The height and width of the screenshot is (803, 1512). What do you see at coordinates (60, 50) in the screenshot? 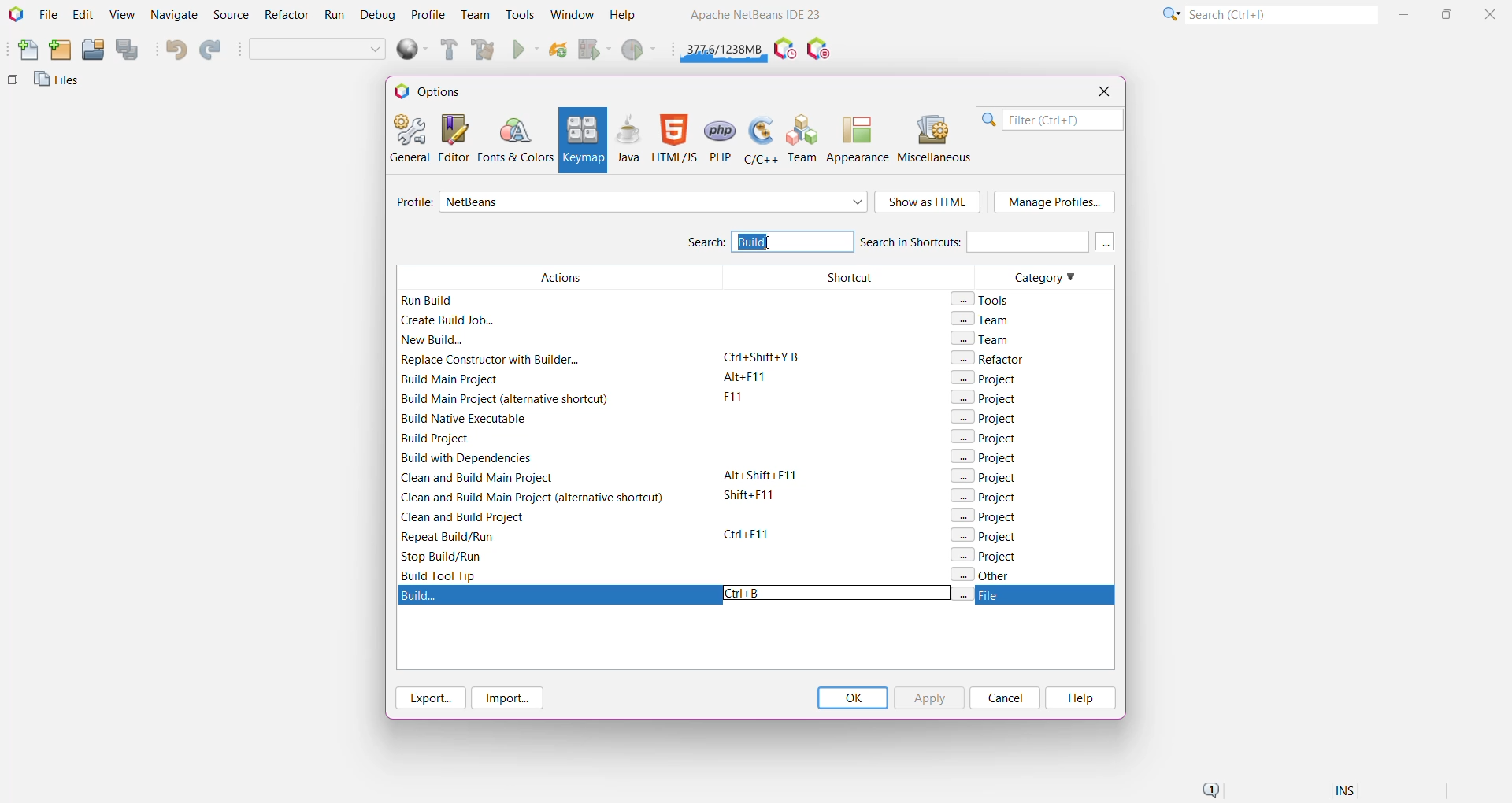
I see `New Project` at bounding box center [60, 50].